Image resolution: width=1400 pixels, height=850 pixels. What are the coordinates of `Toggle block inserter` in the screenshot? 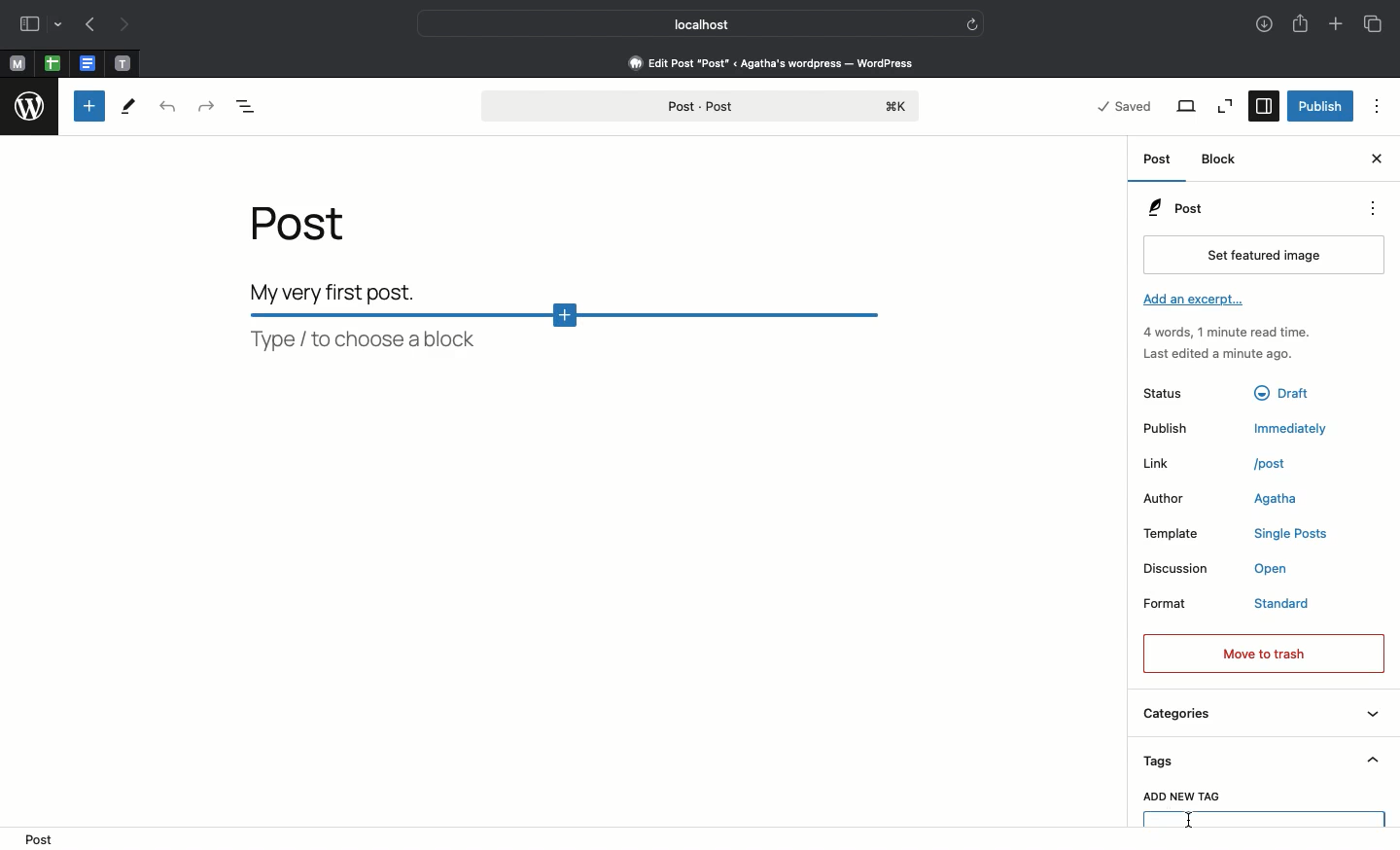 It's located at (87, 106).